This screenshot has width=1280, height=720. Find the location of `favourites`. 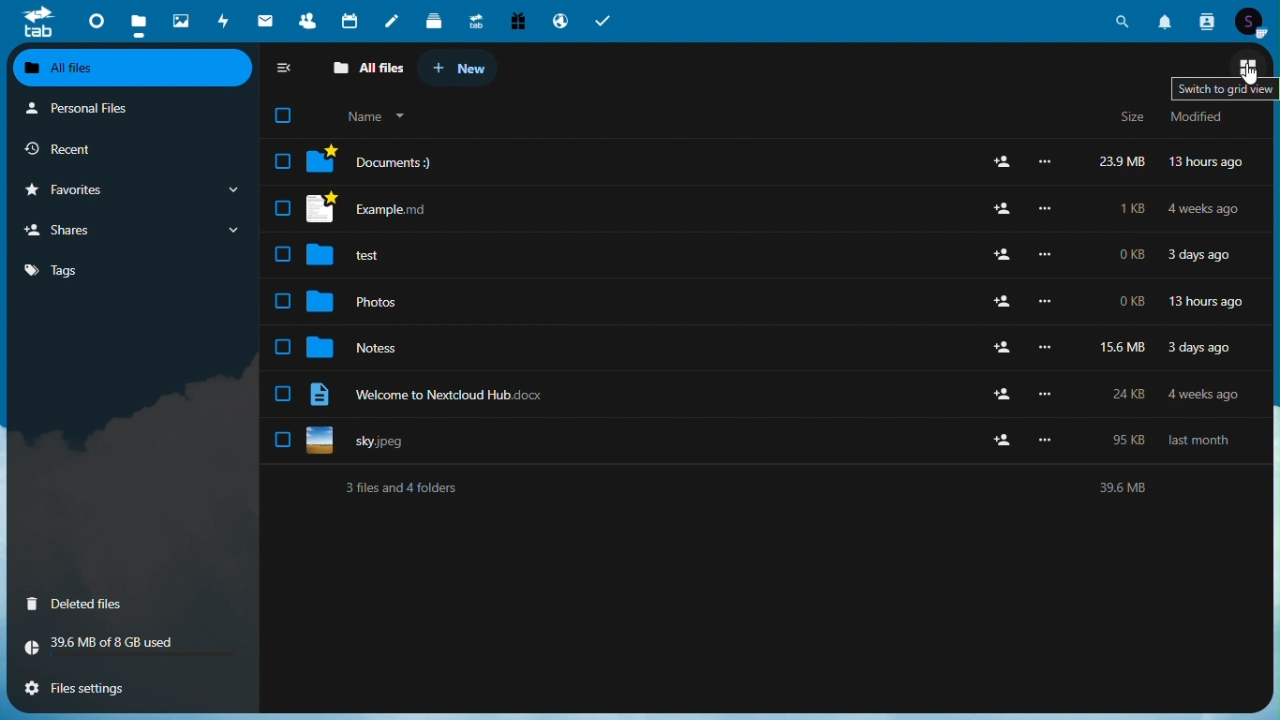

favourites is located at coordinates (130, 190).